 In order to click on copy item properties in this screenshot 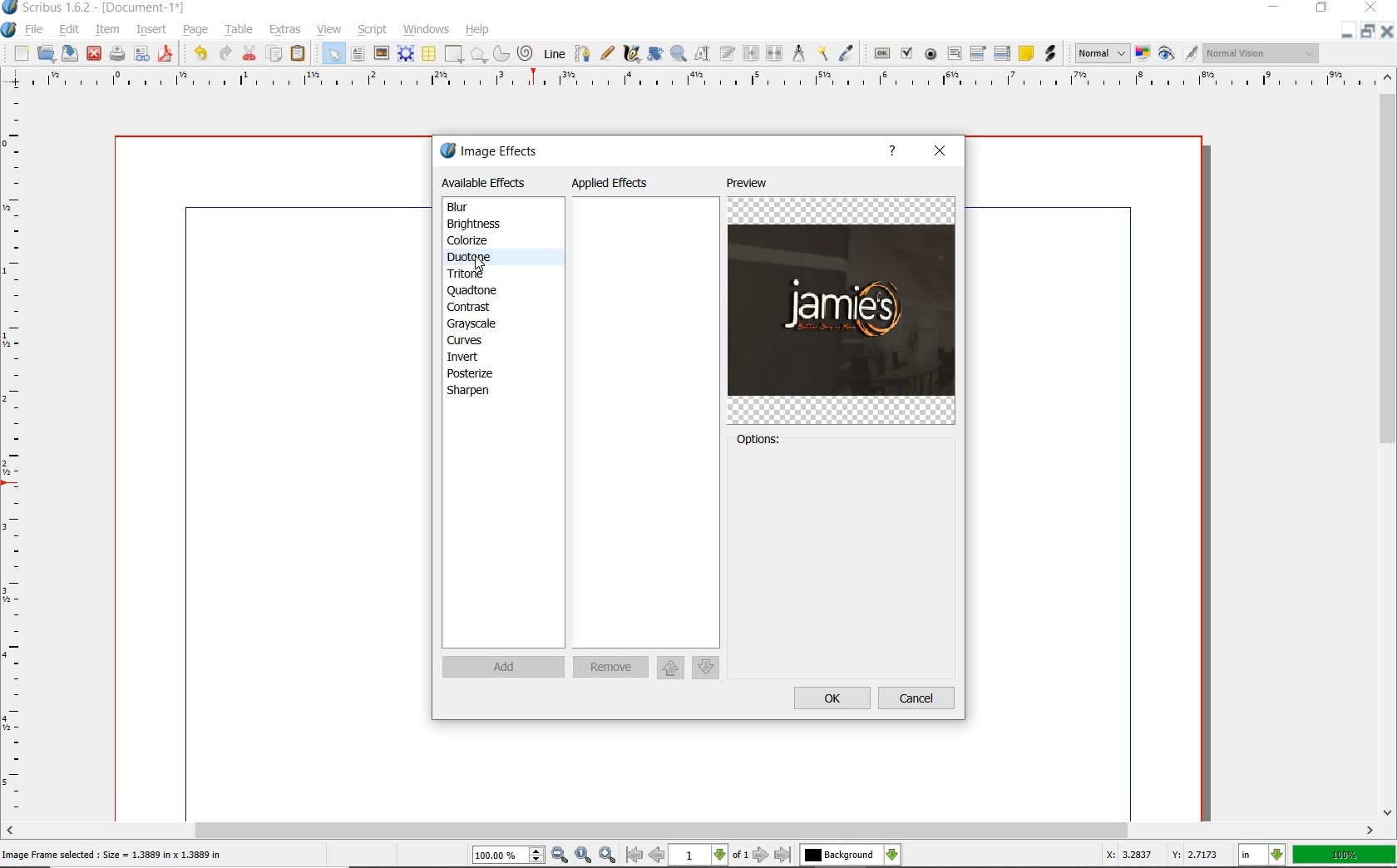, I will do `click(822, 53)`.